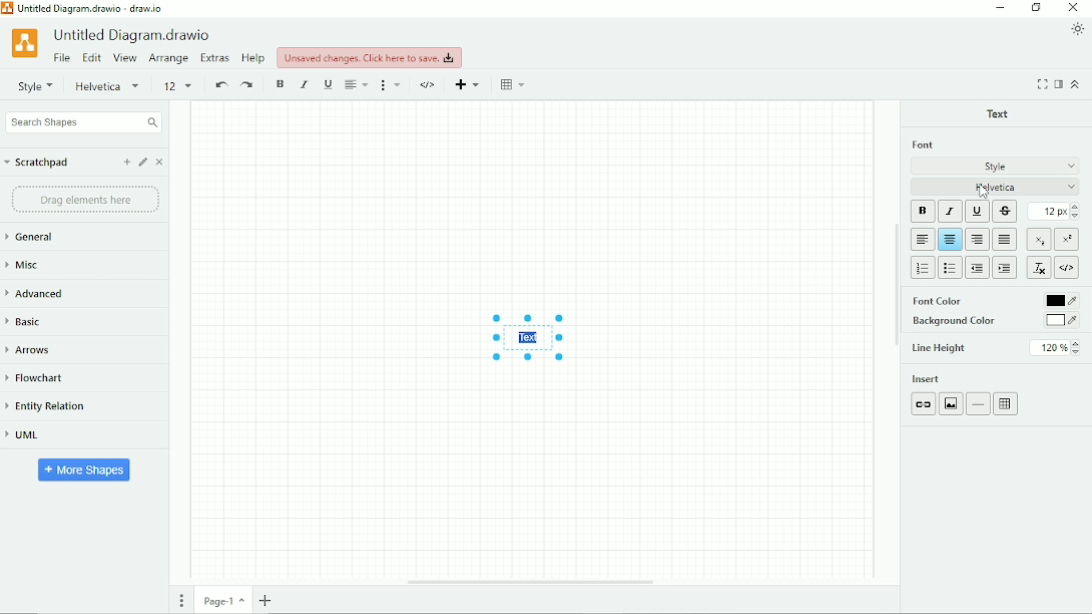  Describe the element at coordinates (923, 239) in the screenshot. I see `Left` at that location.